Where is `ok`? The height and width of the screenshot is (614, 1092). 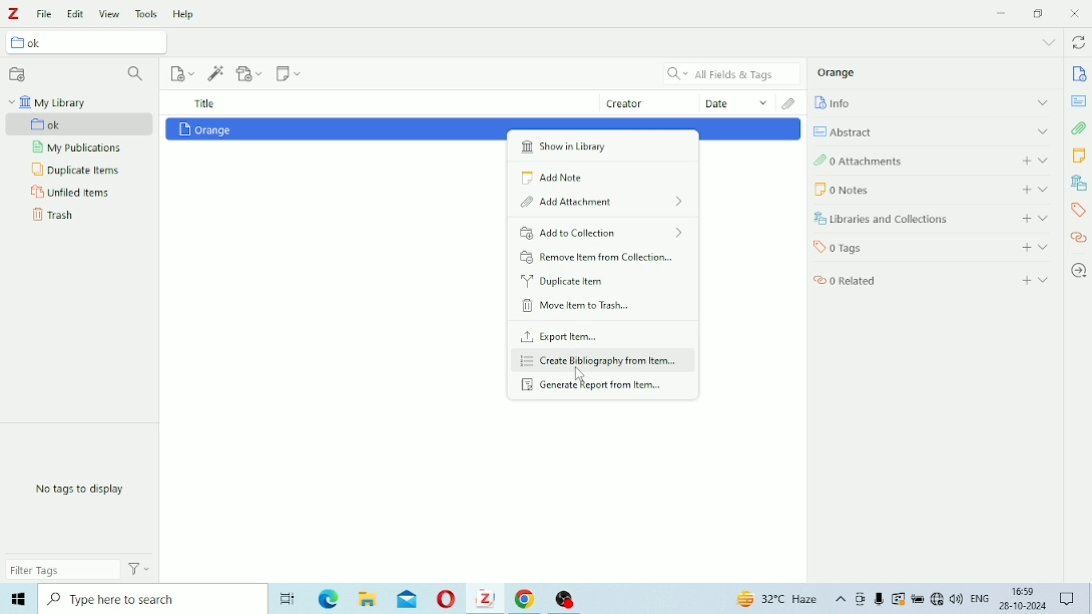
ok is located at coordinates (81, 125).